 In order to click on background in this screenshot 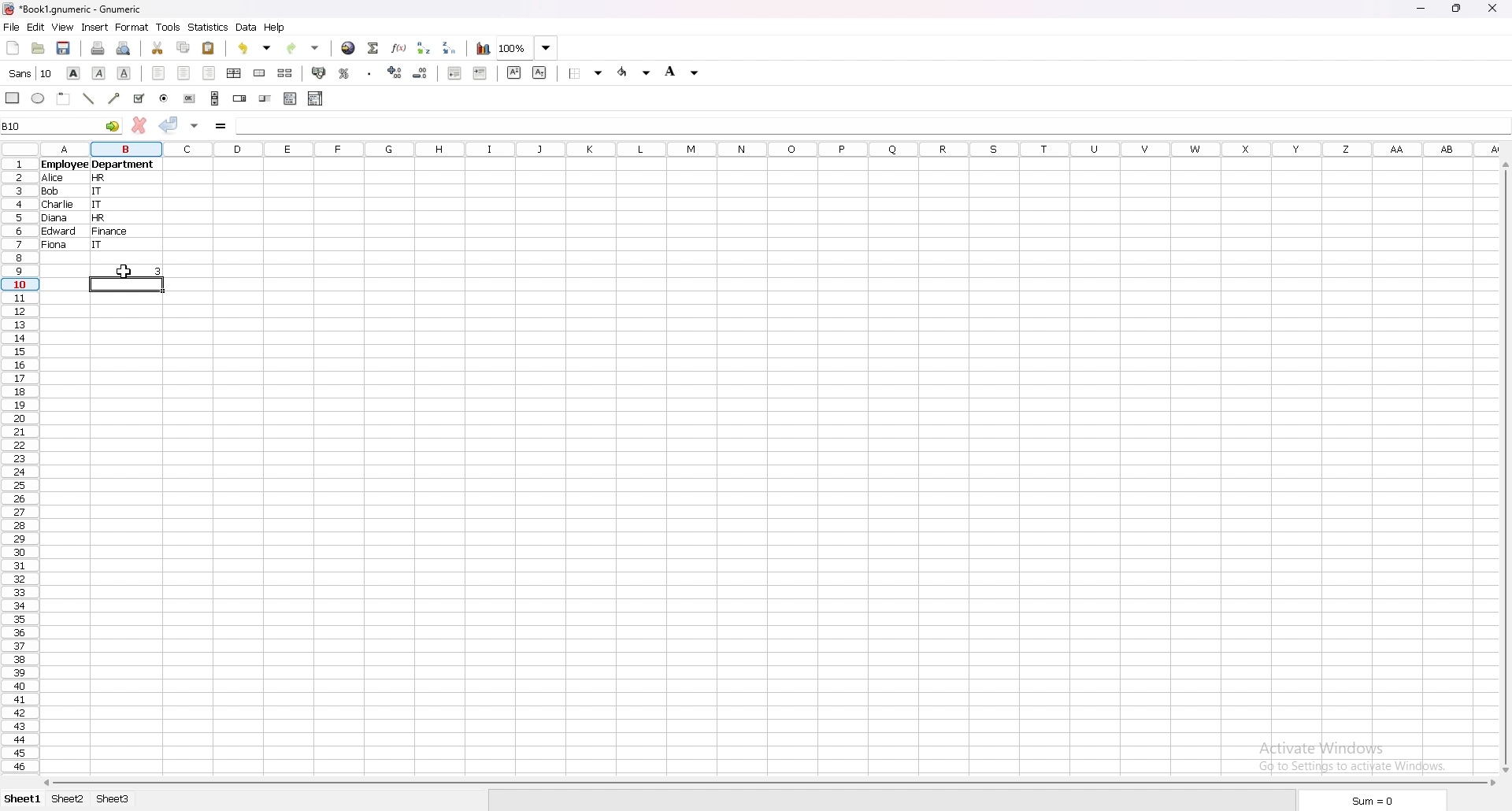, I will do `click(682, 72)`.